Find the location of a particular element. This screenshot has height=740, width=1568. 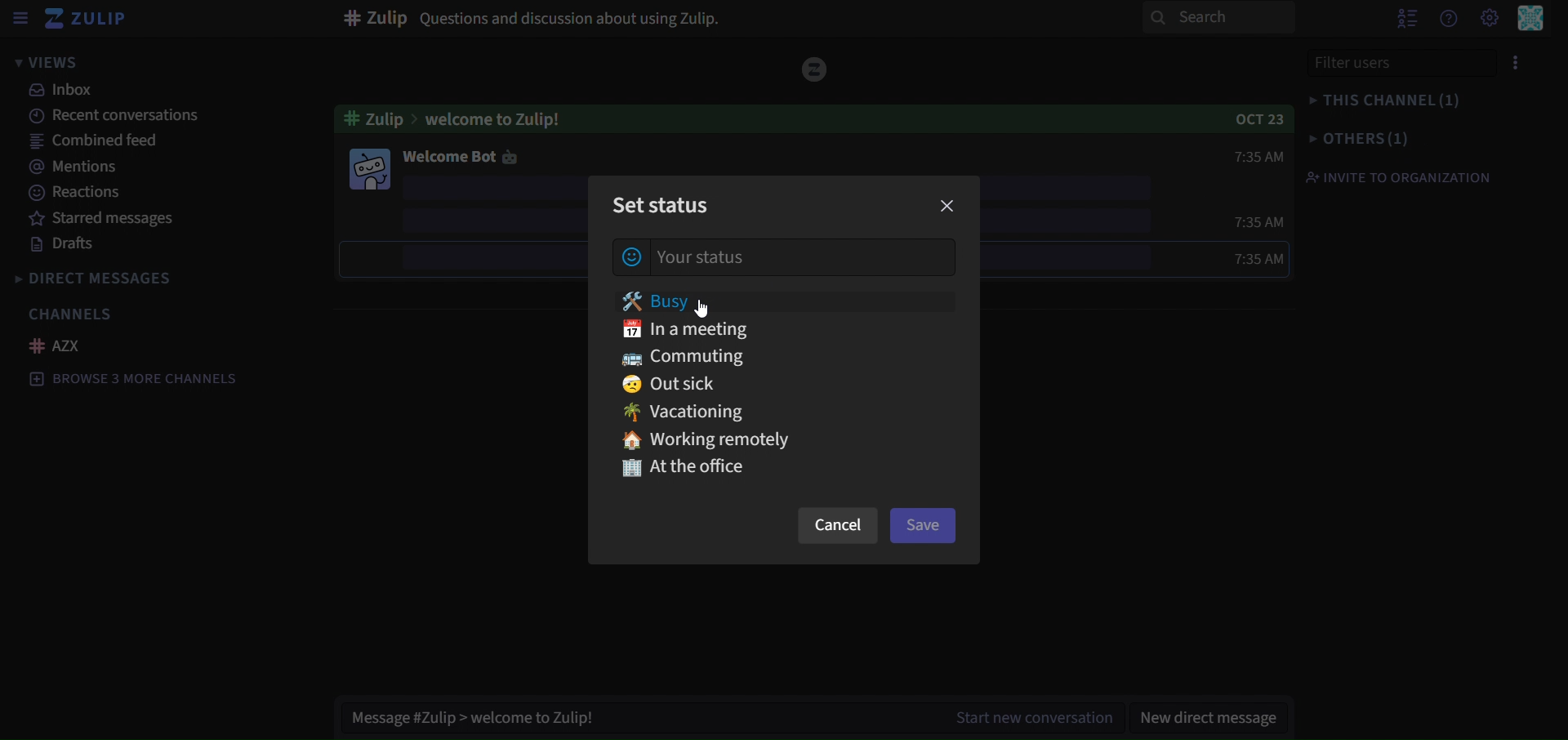

tart new conversation is located at coordinates (1022, 711).